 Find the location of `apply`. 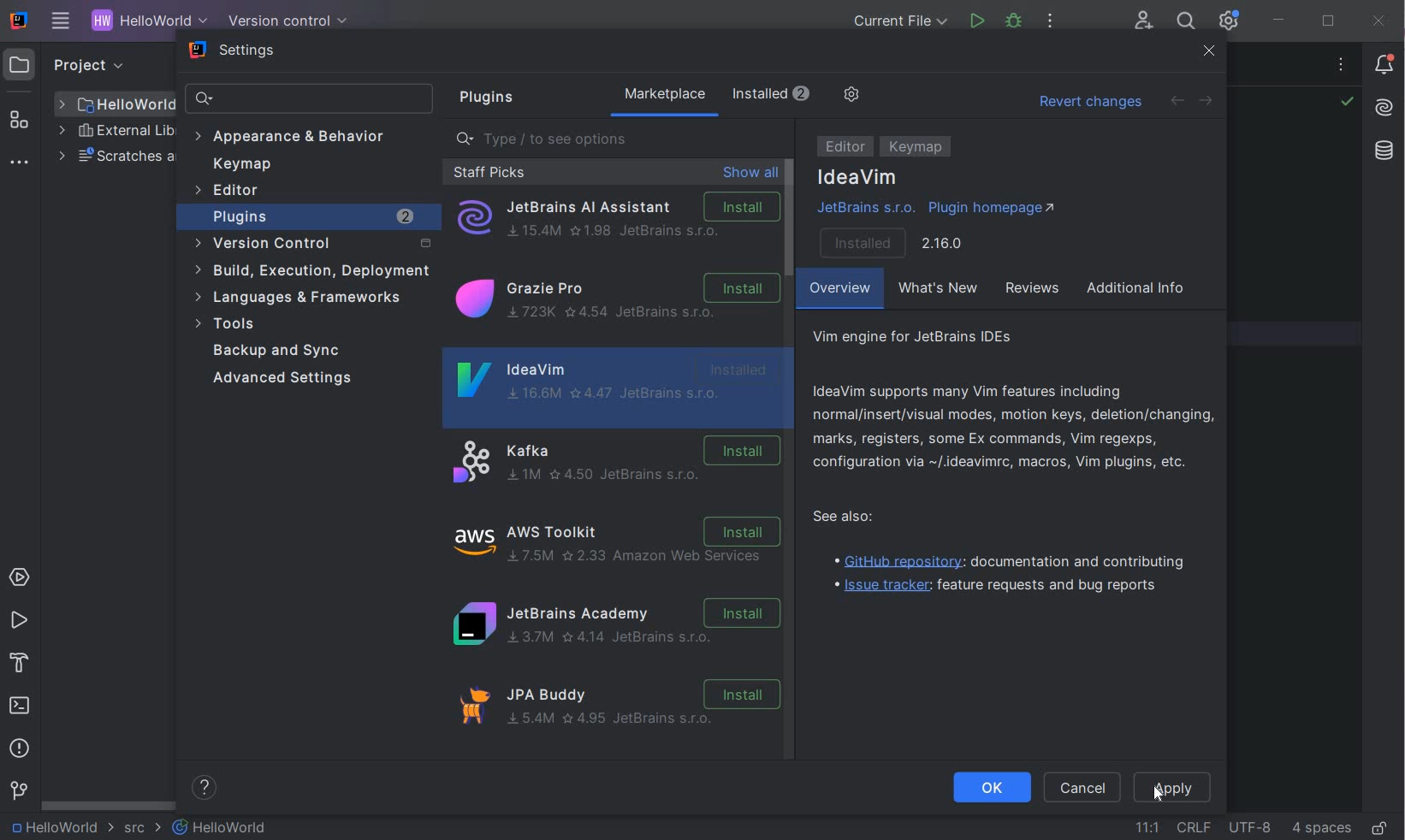

apply is located at coordinates (1192, 787).